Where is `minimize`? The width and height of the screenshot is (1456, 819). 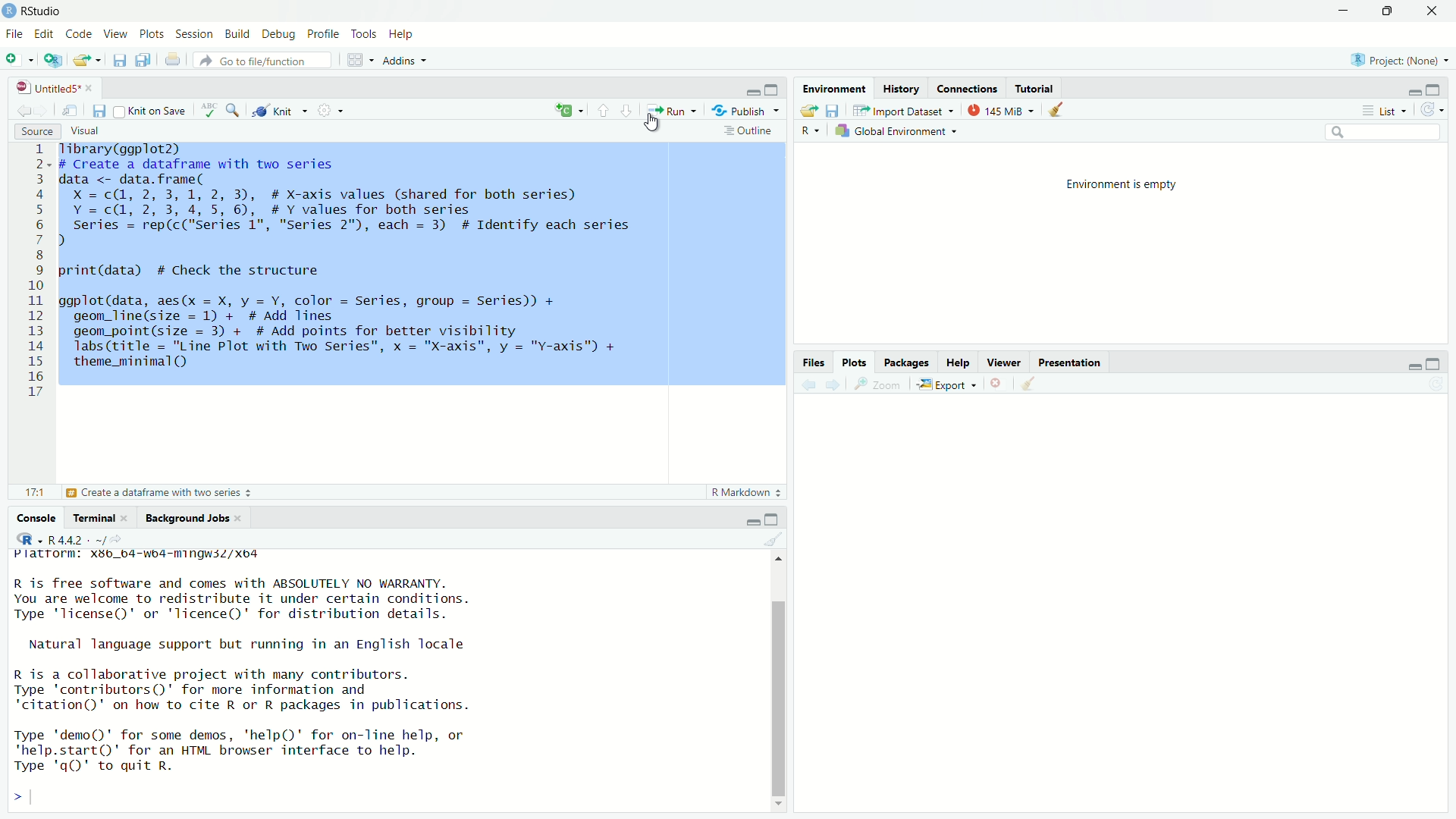
minimize is located at coordinates (1414, 93).